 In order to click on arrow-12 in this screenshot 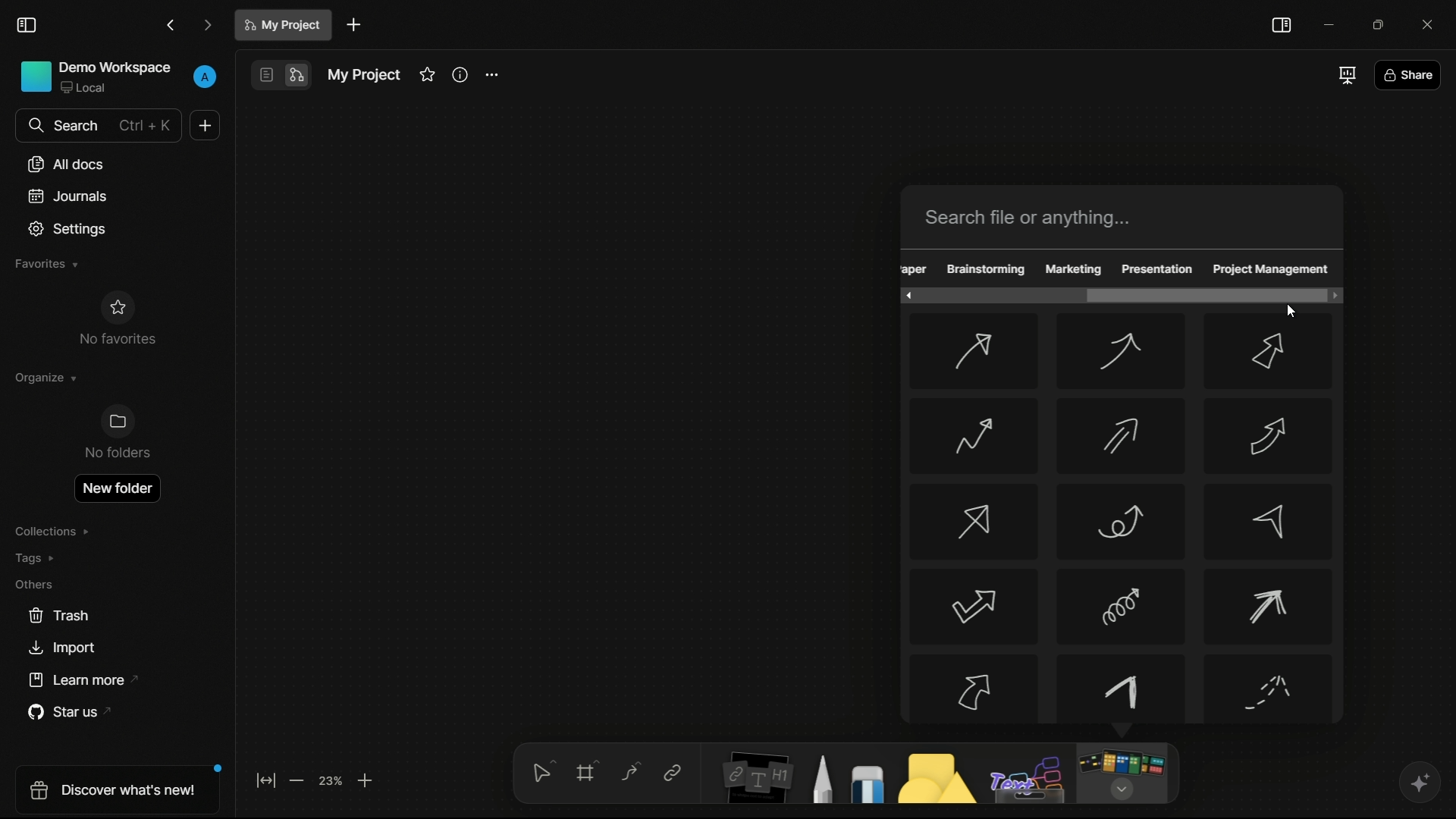, I will do `click(1271, 607)`.